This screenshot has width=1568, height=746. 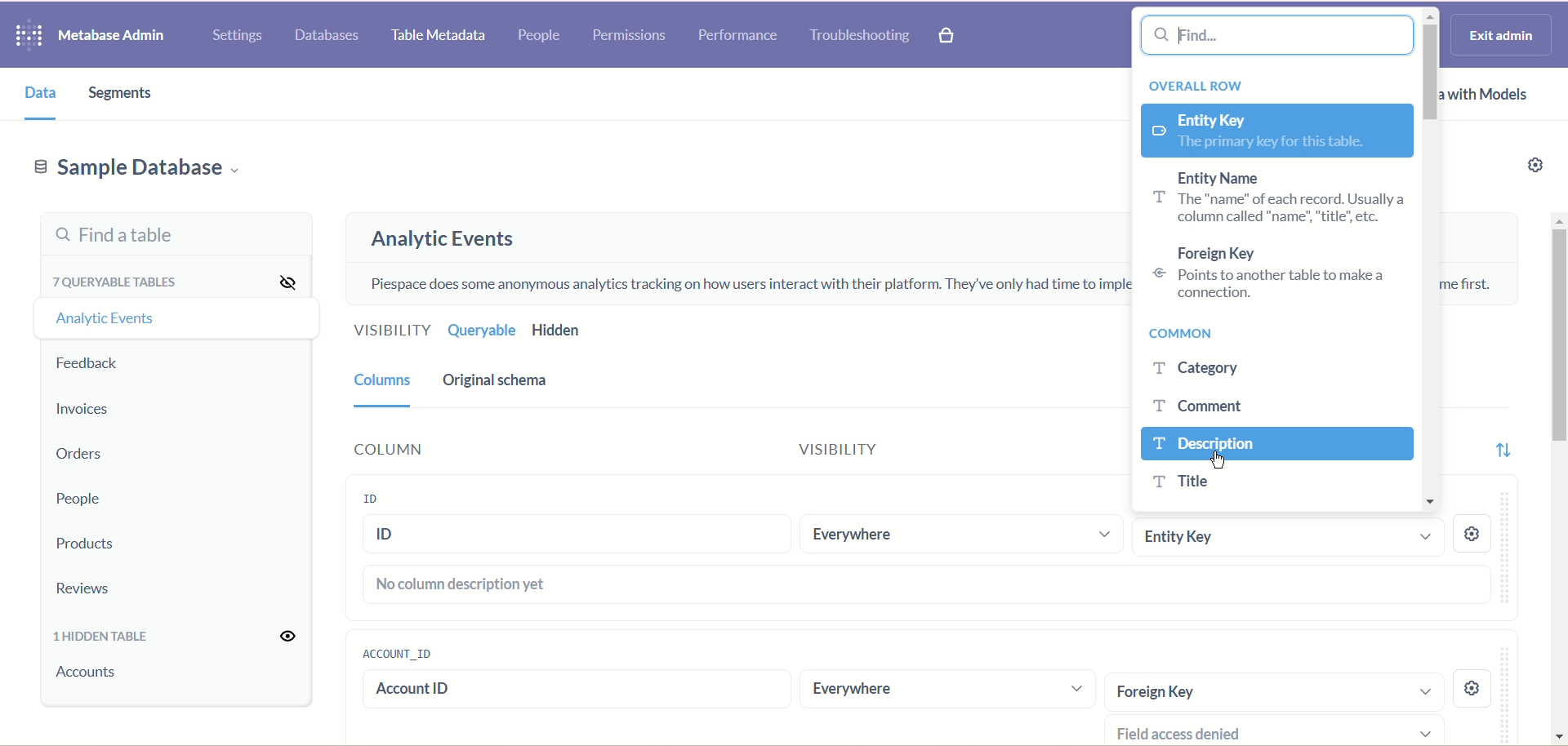 What do you see at coordinates (102, 317) in the screenshot?
I see `analytic event` at bounding box center [102, 317].